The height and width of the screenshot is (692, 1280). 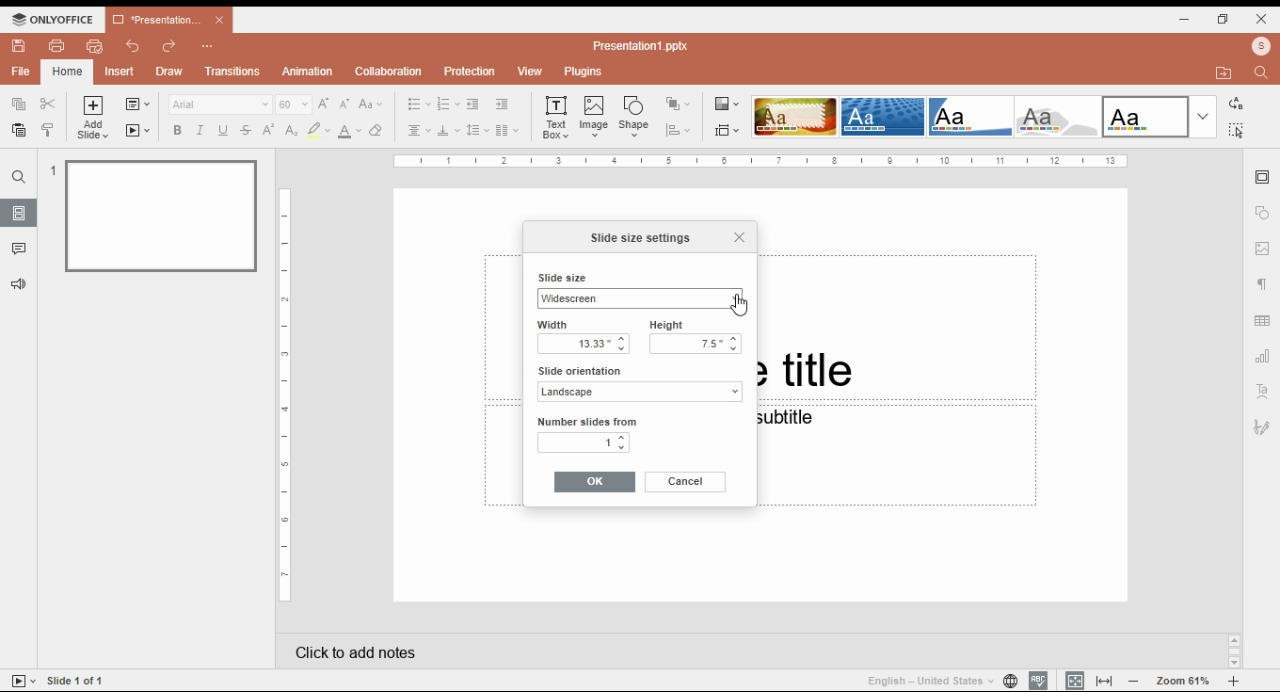 I want to click on cancel, so click(x=685, y=482).